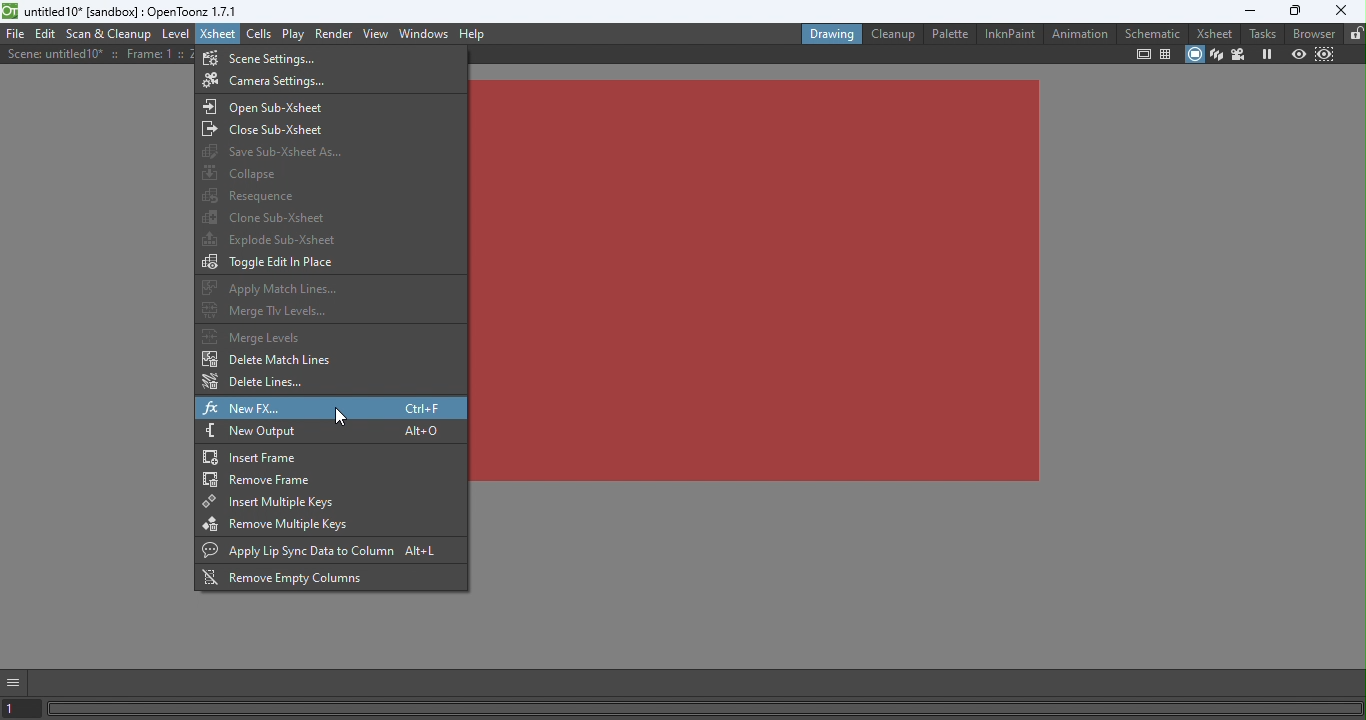 Image resolution: width=1366 pixels, height=720 pixels. I want to click on cursor, so click(340, 416).